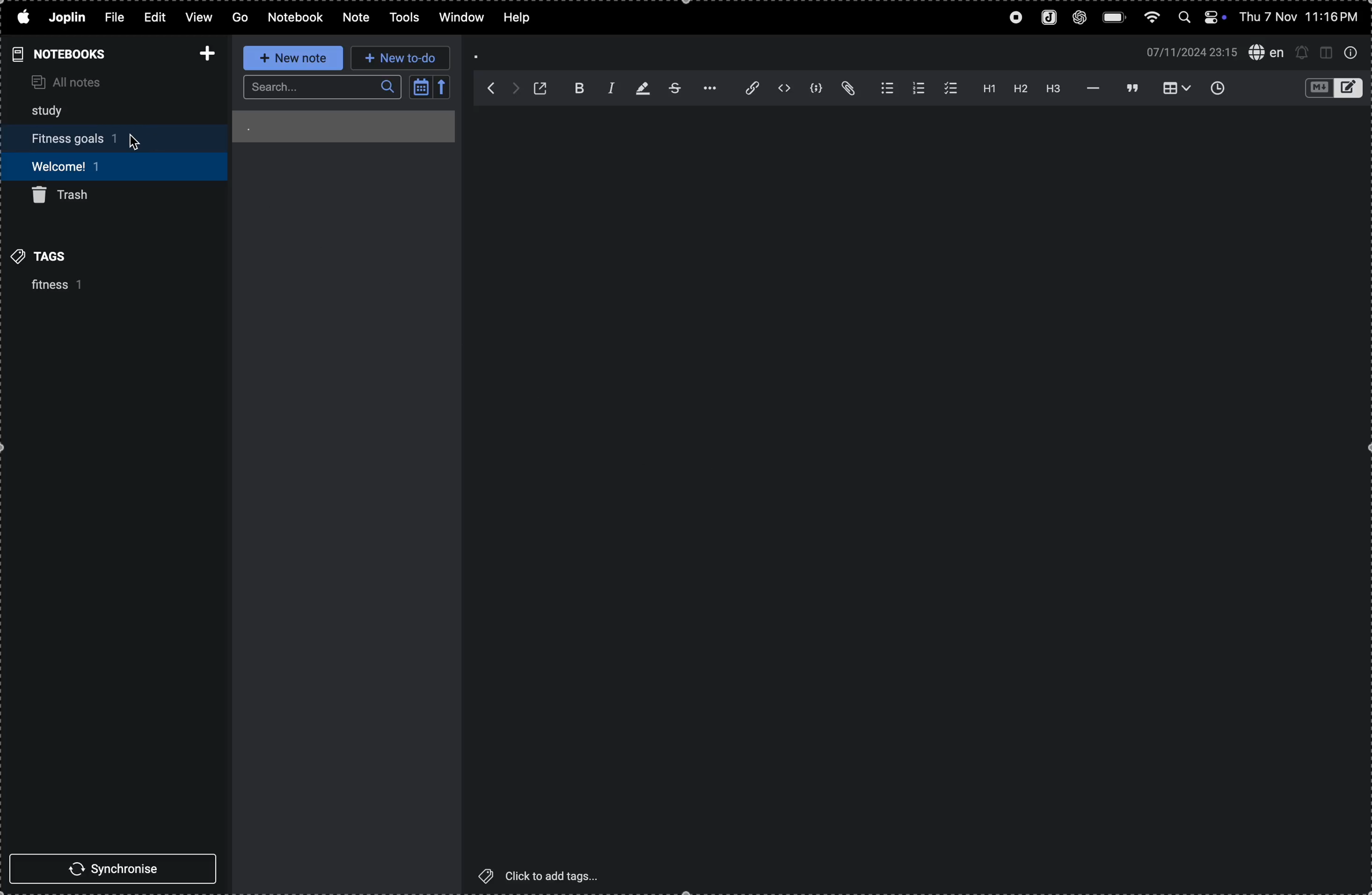  What do you see at coordinates (849, 89) in the screenshot?
I see `attach file` at bounding box center [849, 89].